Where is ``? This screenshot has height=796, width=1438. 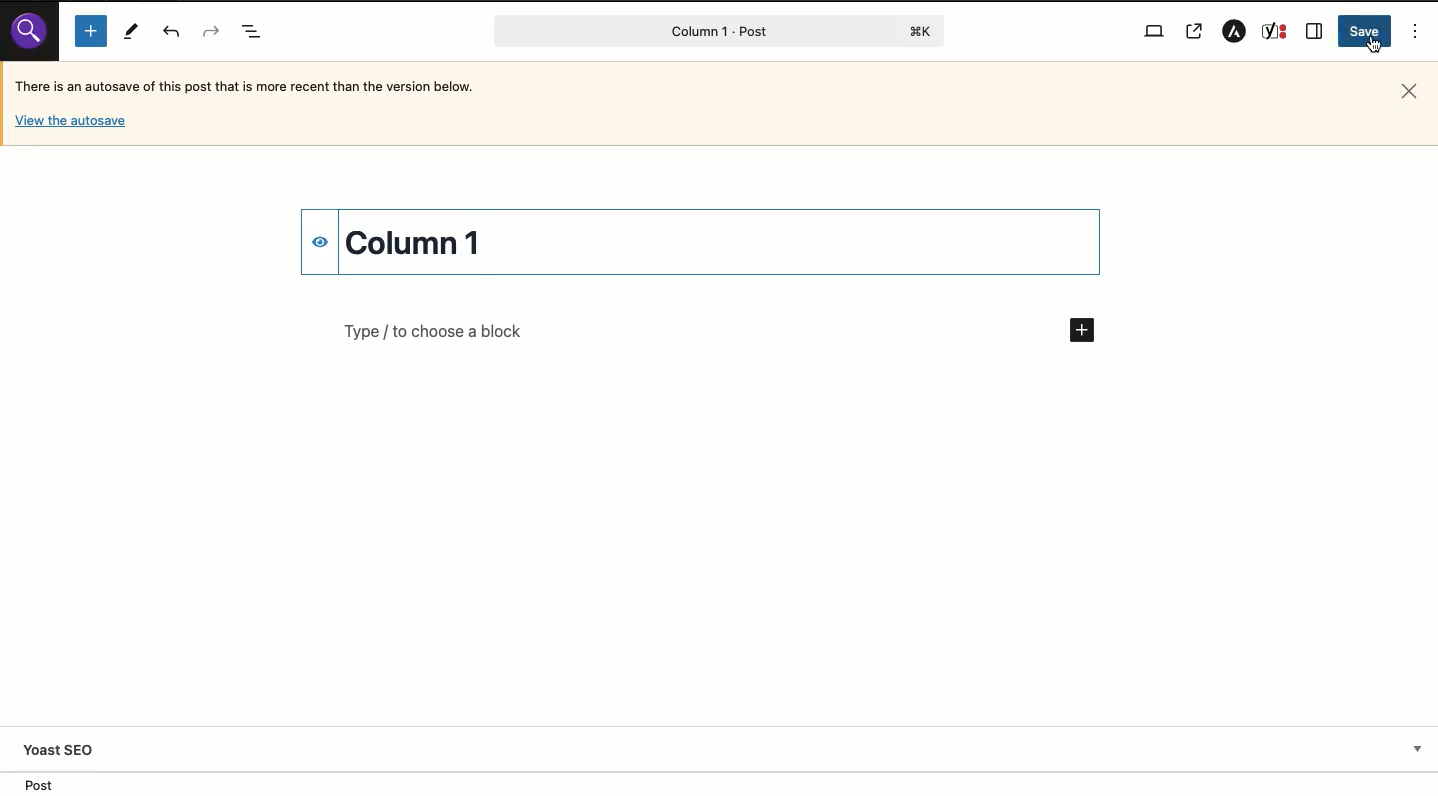  is located at coordinates (70, 122).